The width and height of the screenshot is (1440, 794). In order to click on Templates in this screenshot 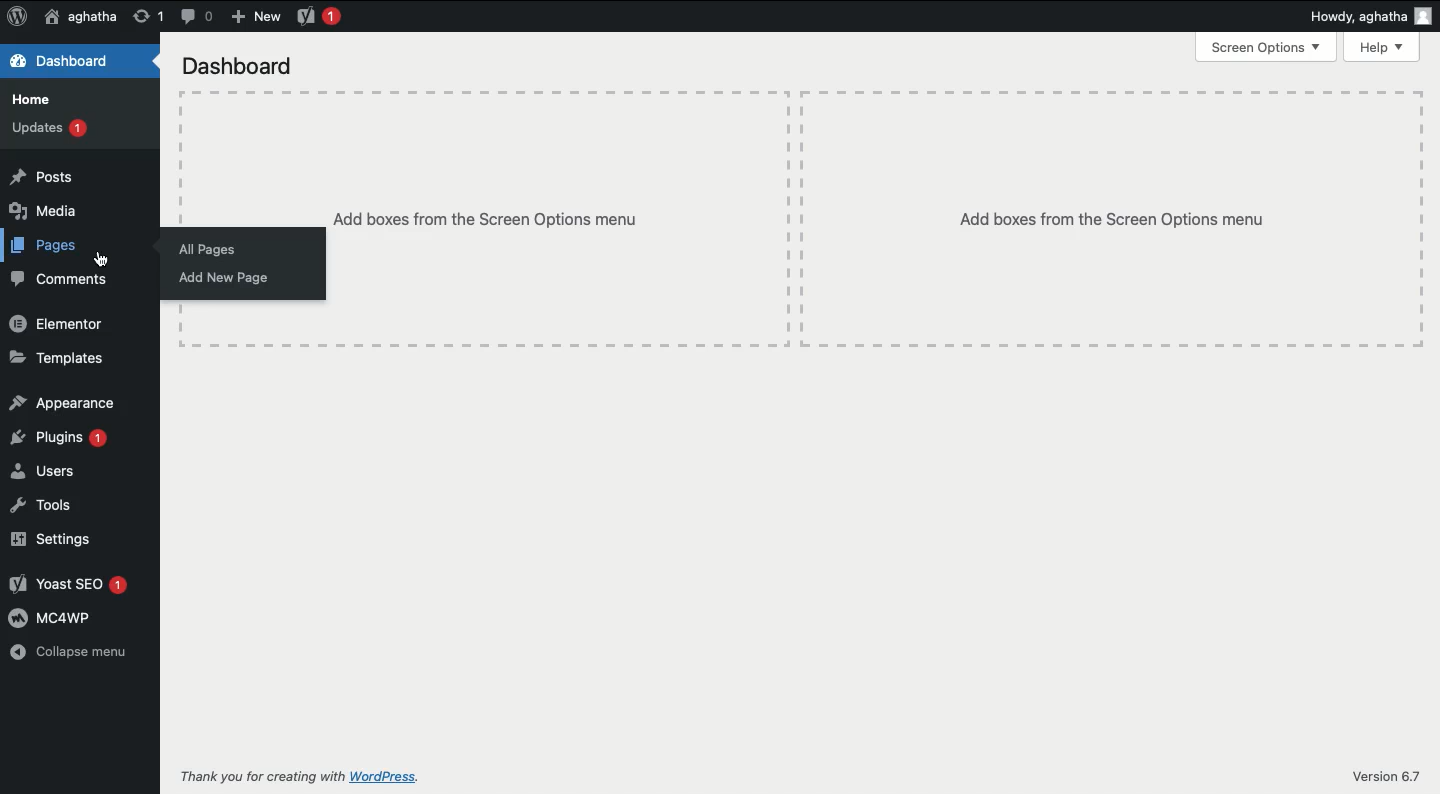, I will do `click(55, 360)`.